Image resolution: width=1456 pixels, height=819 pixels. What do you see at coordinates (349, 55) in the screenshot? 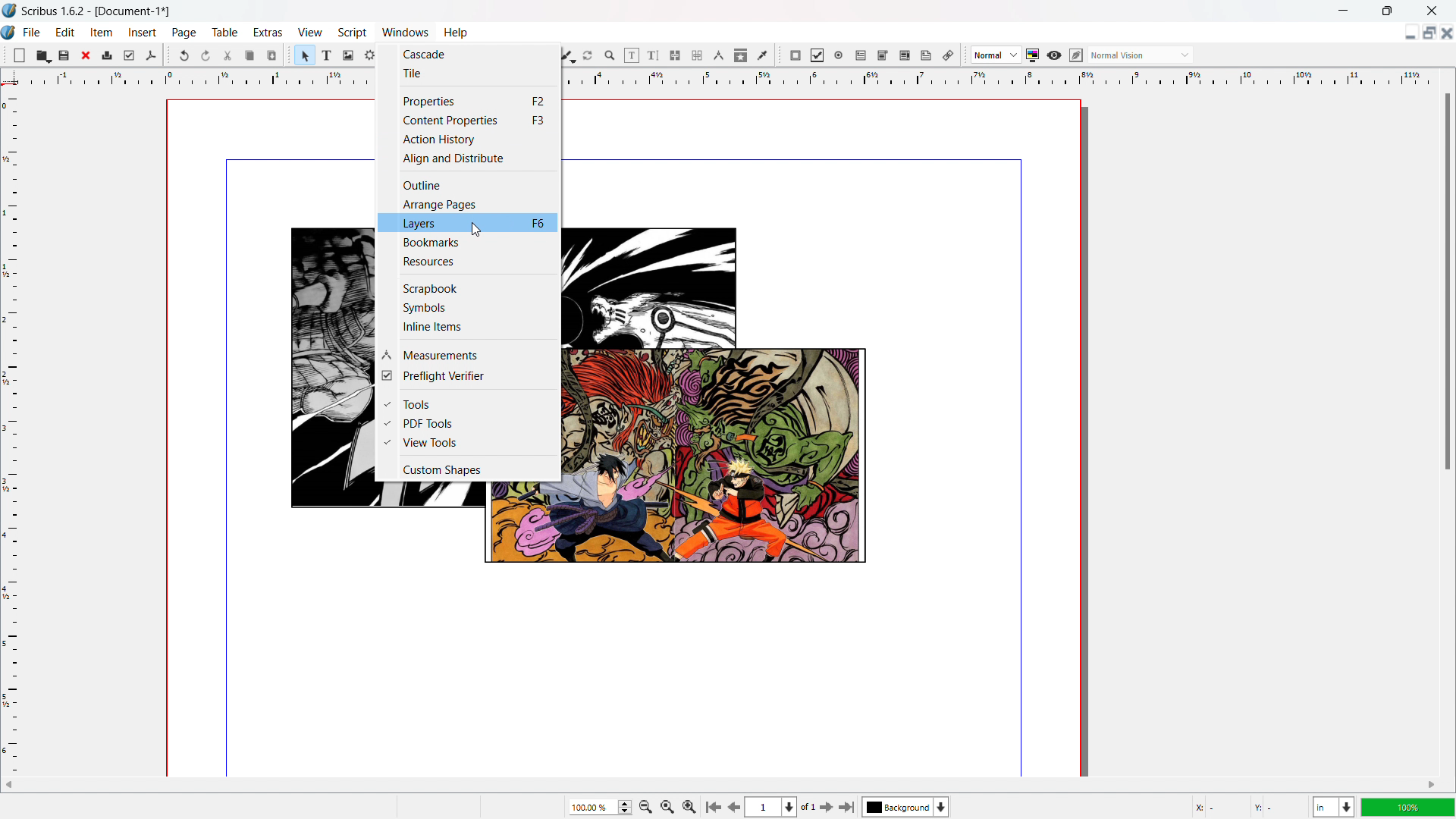
I see `image frame` at bounding box center [349, 55].